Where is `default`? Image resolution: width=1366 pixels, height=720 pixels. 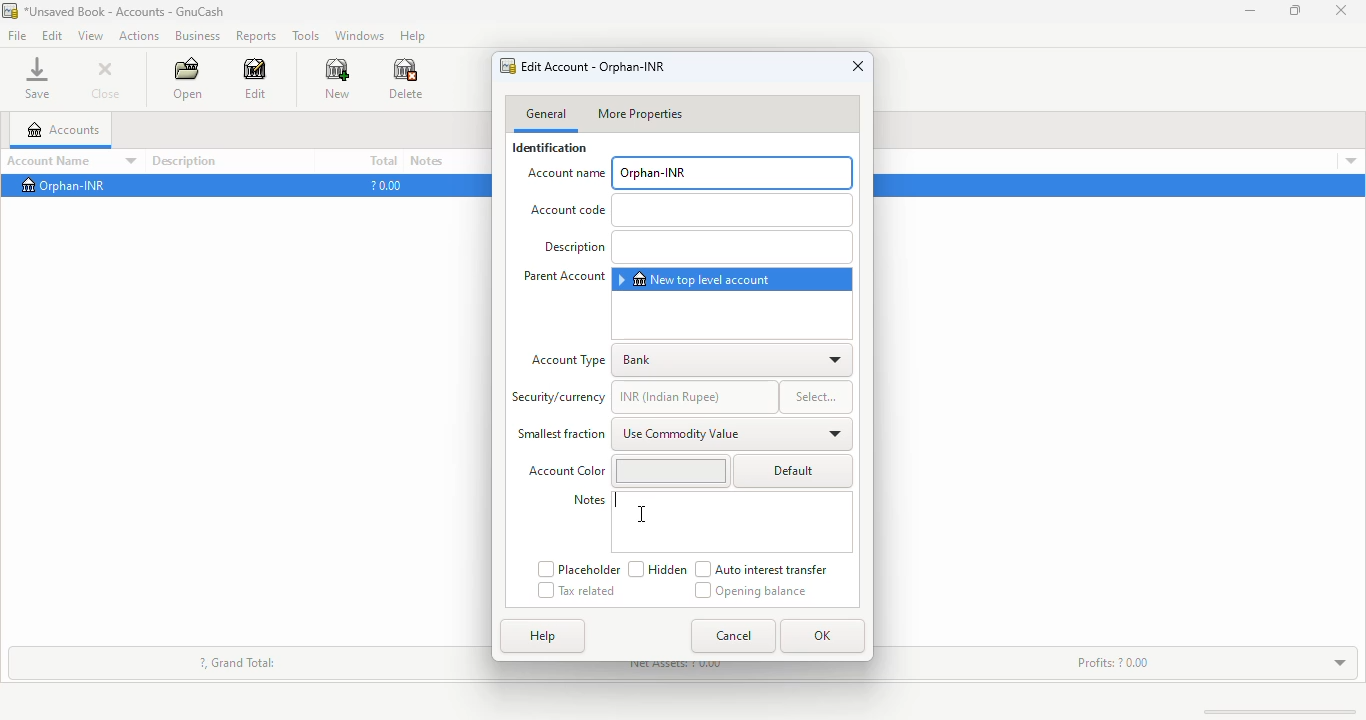
default is located at coordinates (795, 470).